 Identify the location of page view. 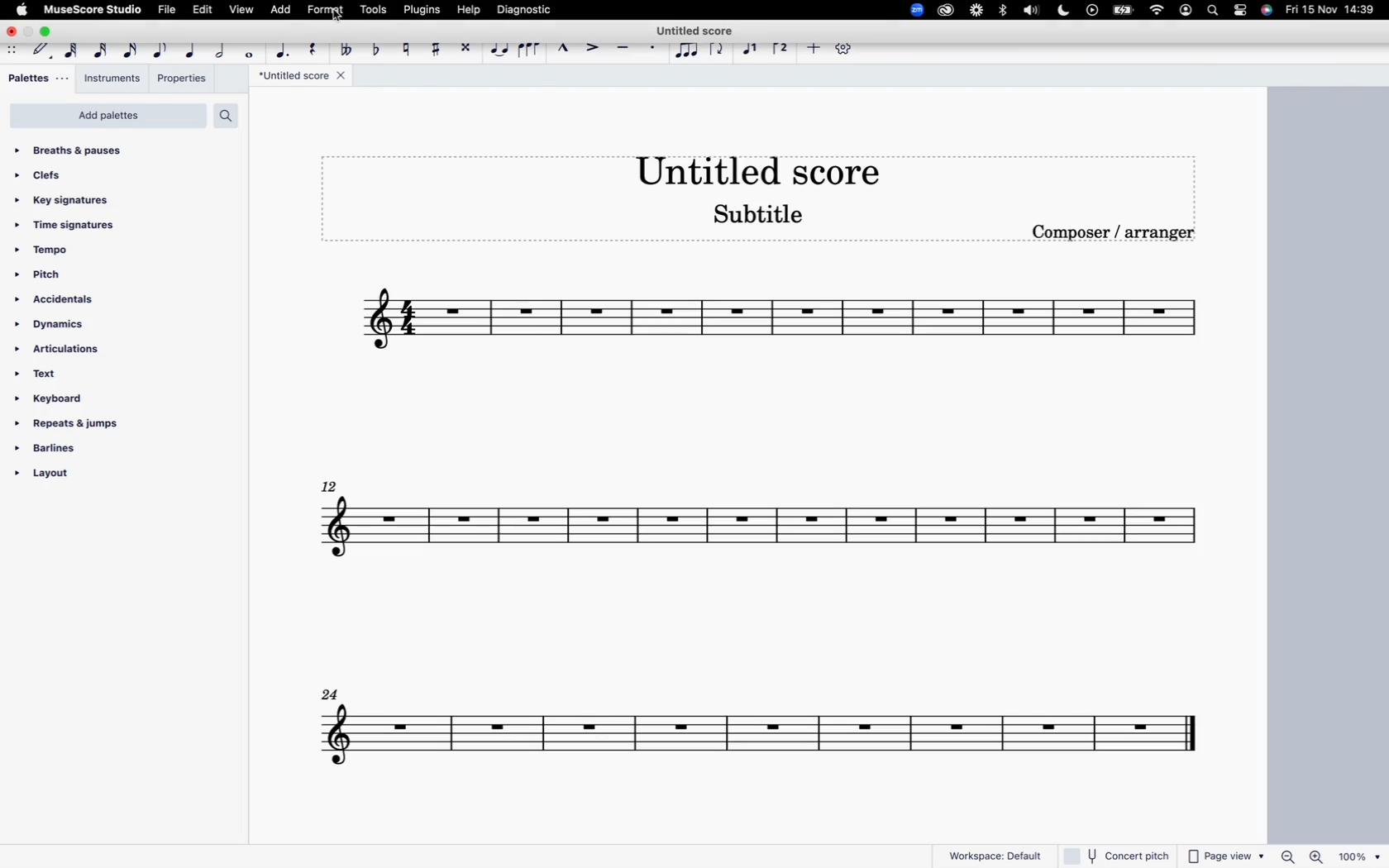
(1228, 856).